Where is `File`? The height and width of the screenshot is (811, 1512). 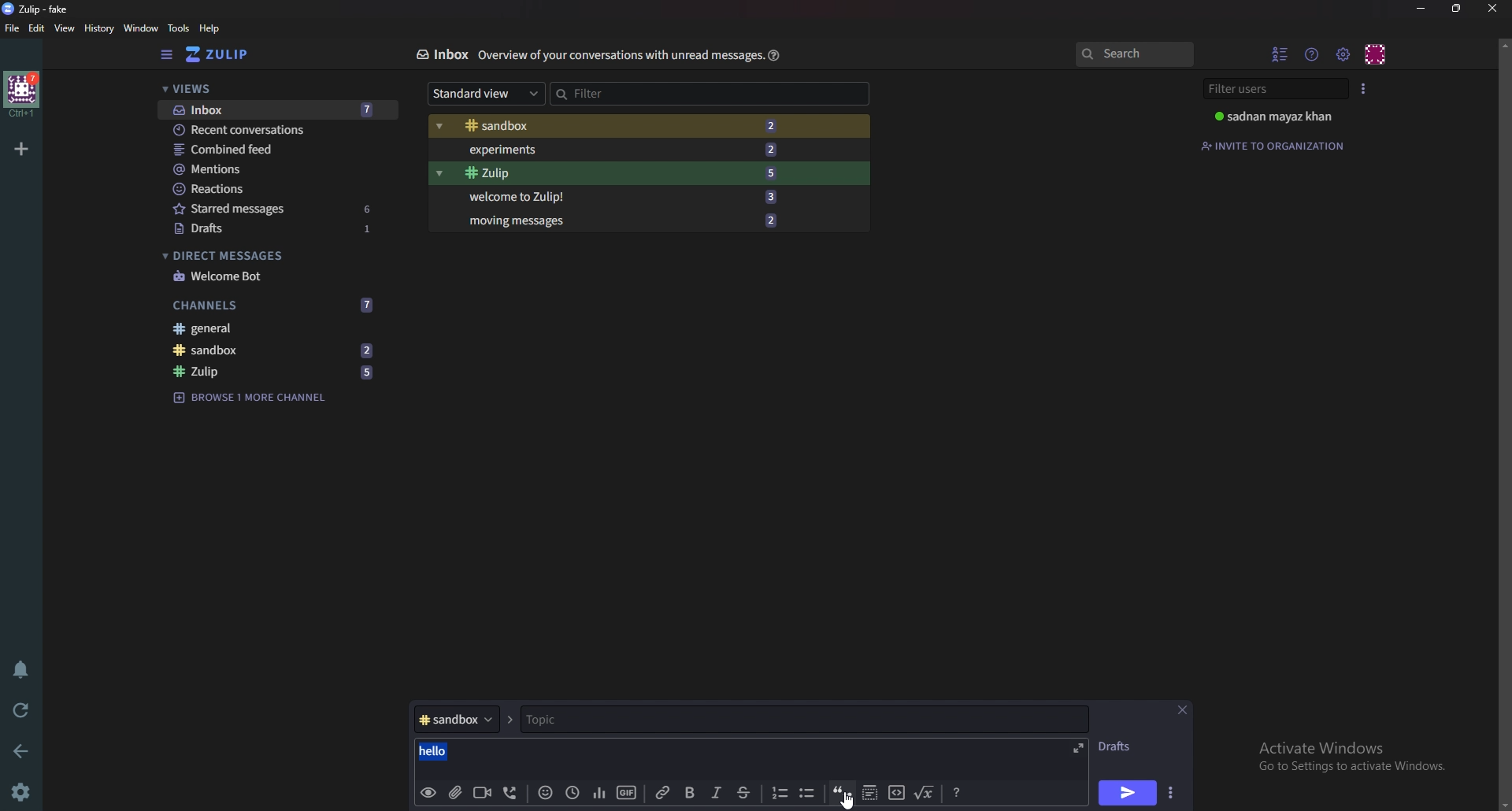
File is located at coordinates (13, 28).